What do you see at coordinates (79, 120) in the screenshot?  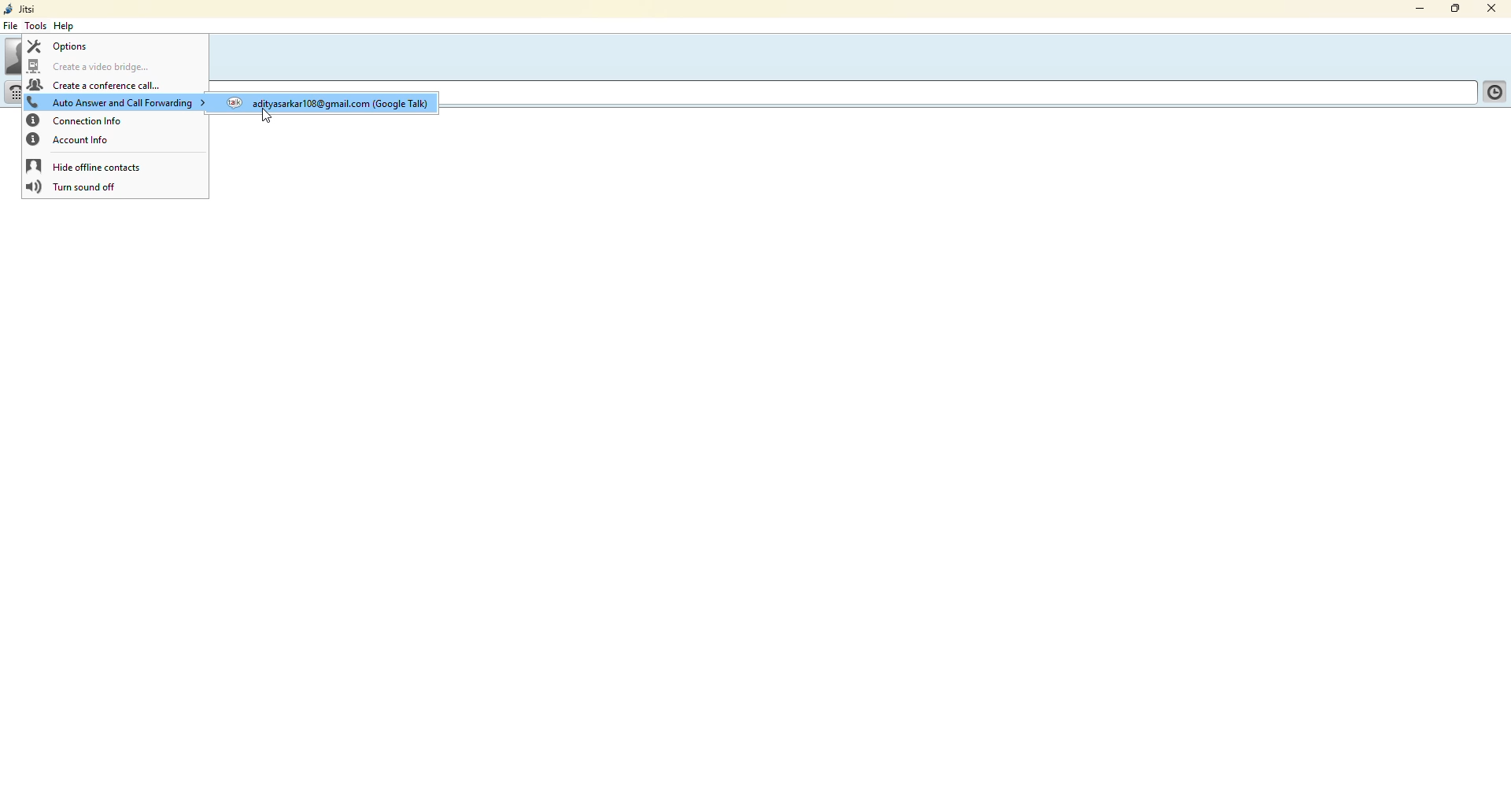 I see `connection info` at bounding box center [79, 120].